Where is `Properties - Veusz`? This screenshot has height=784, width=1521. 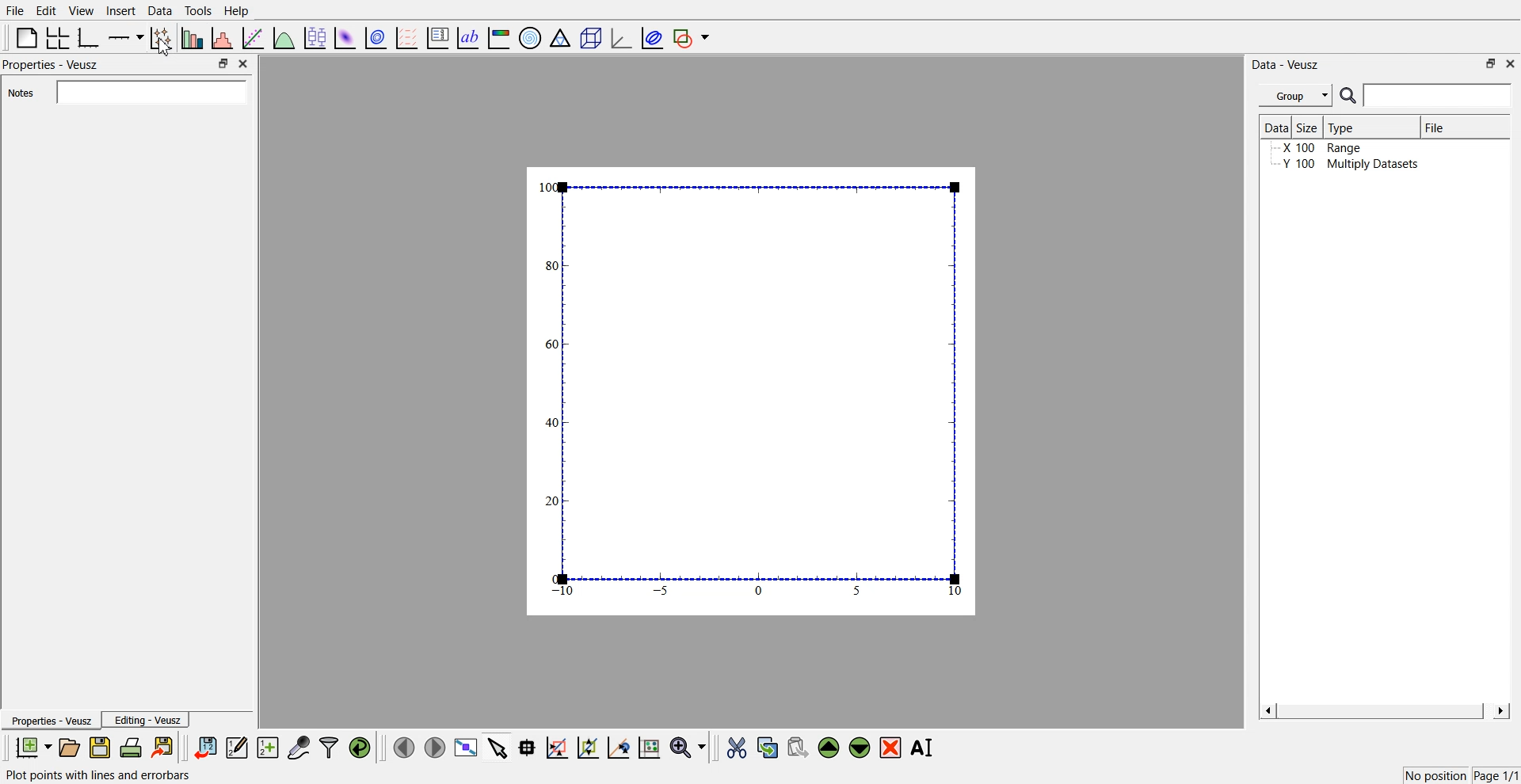 Properties - Veusz is located at coordinates (51, 721).